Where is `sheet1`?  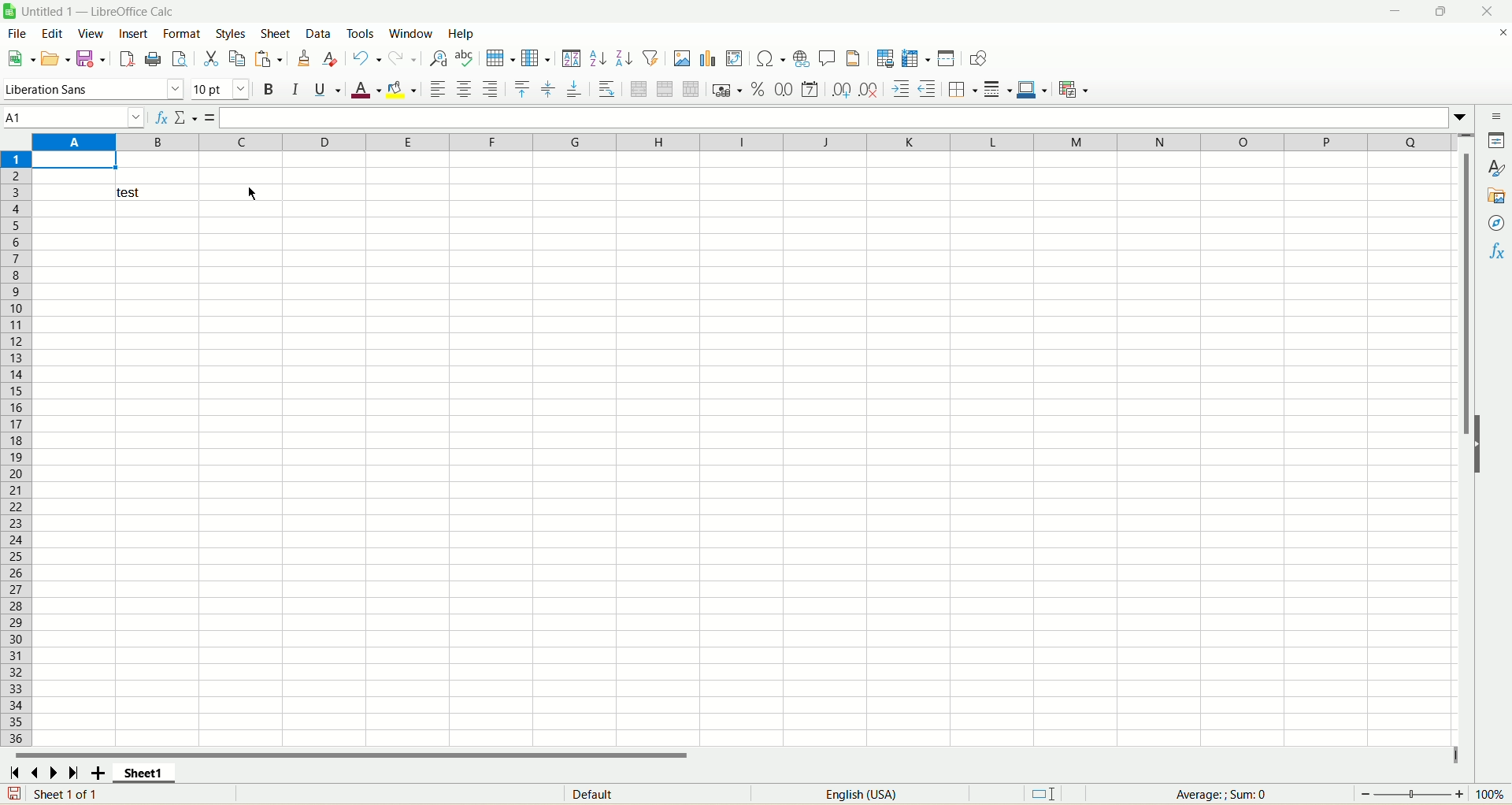
sheet1 is located at coordinates (144, 772).